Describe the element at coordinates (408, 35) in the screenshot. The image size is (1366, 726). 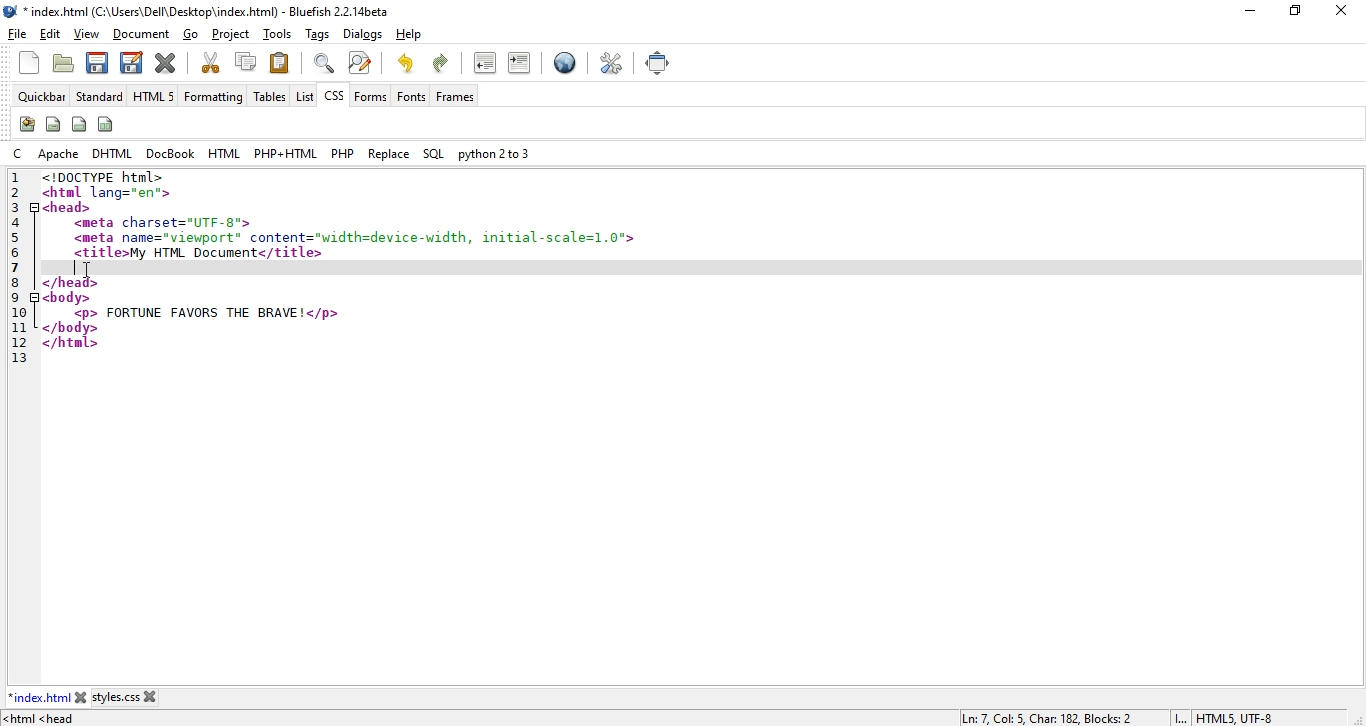
I see `help` at that location.